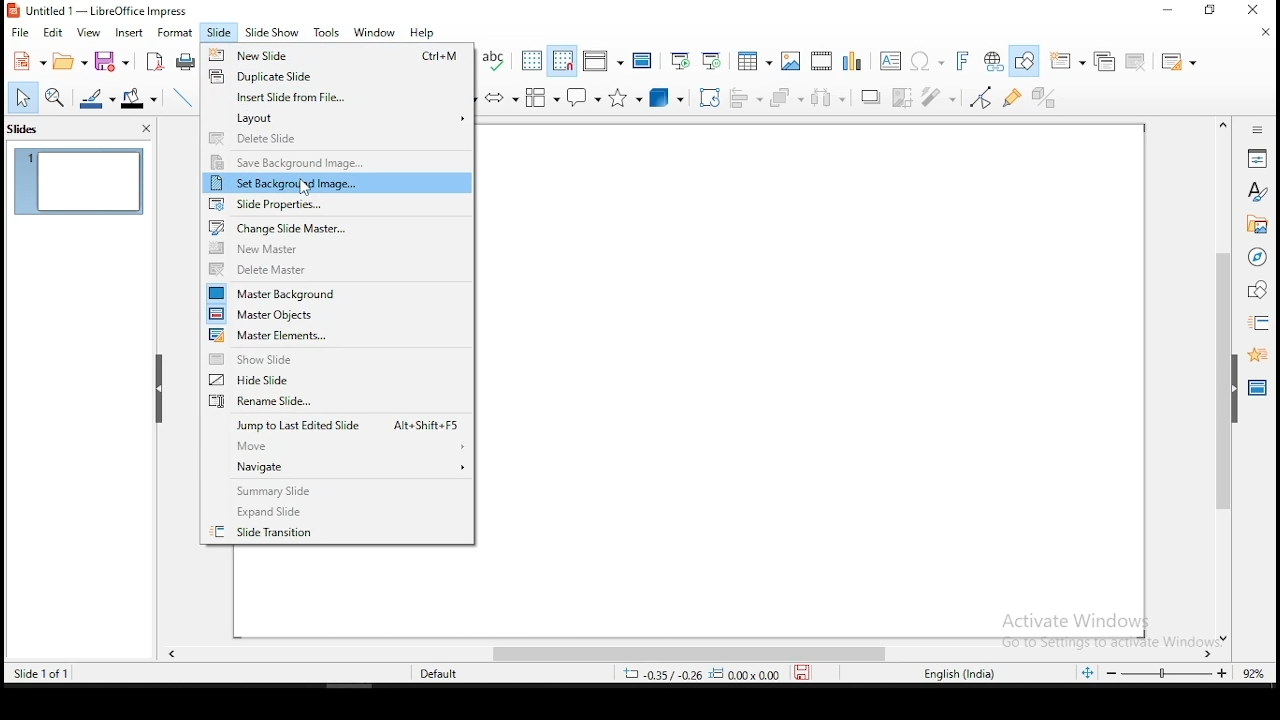 Image resolution: width=1280 pixels, height=720 pixels. What do you see at coordinates (902, 97) in the screenshot?
I see `crop image` at bounding box center [902, 97].